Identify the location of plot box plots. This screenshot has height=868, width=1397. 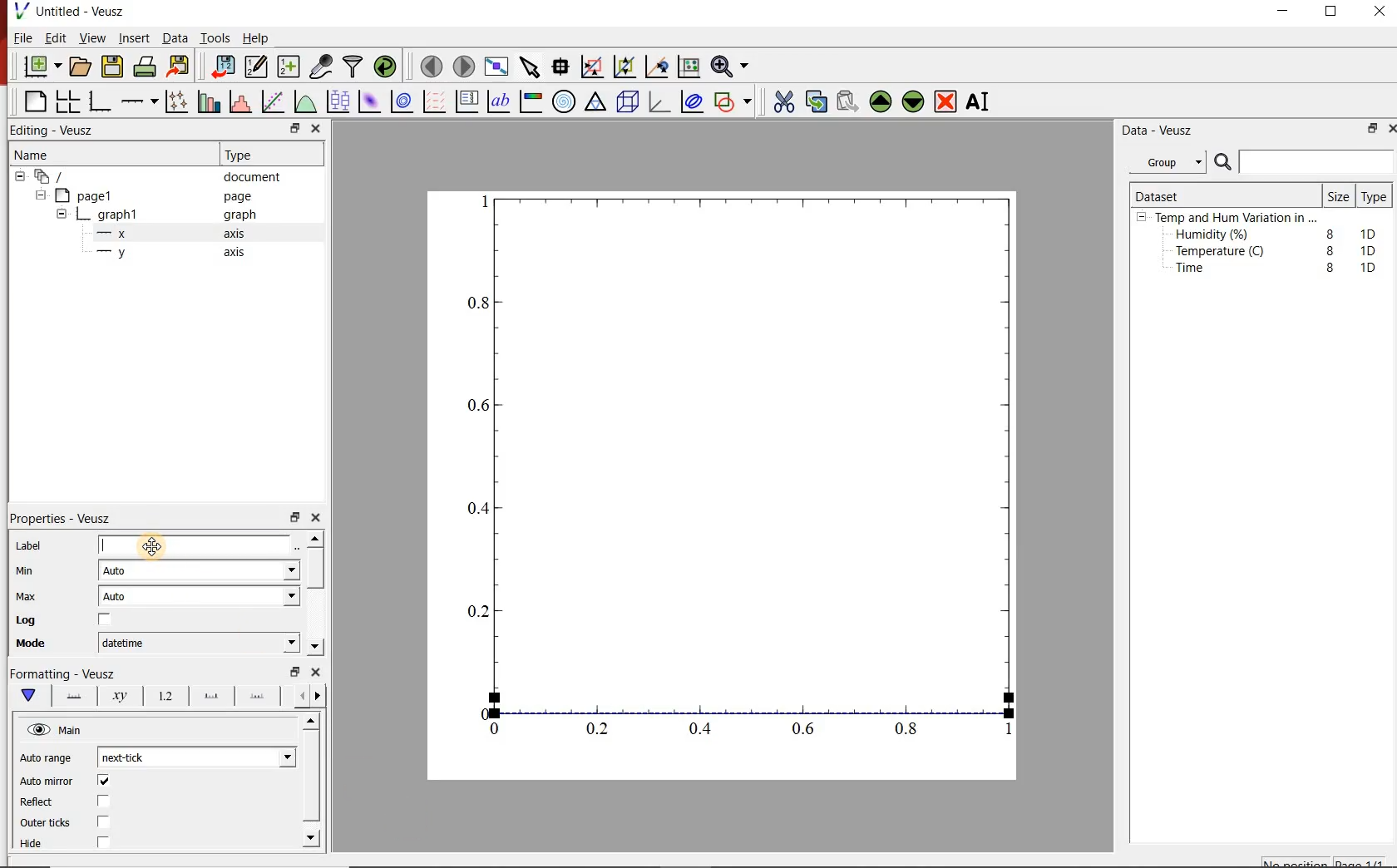
(338, 102).